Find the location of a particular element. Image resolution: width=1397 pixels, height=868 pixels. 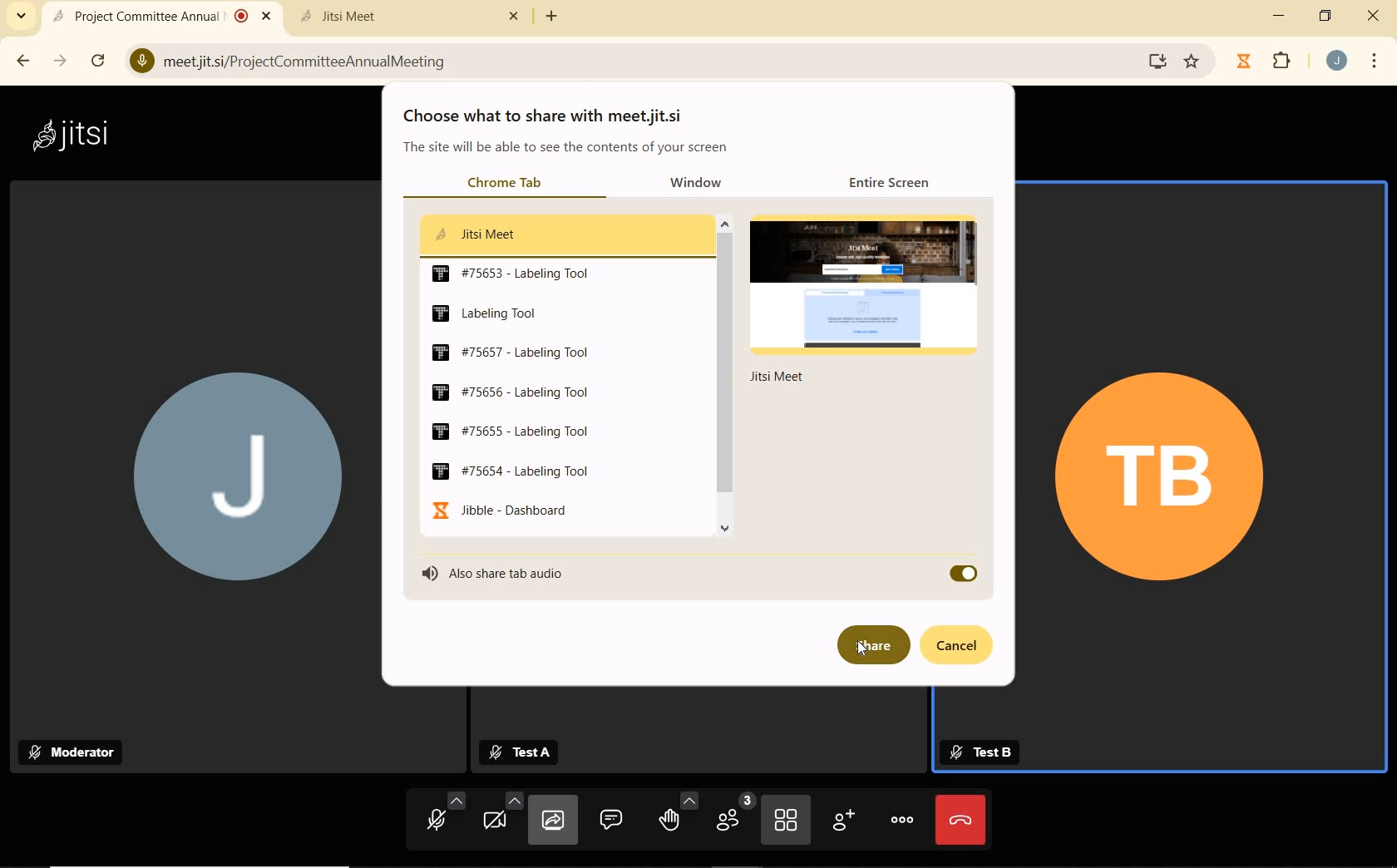

INVITE PEOPLE is located at coordinates (846, 823).